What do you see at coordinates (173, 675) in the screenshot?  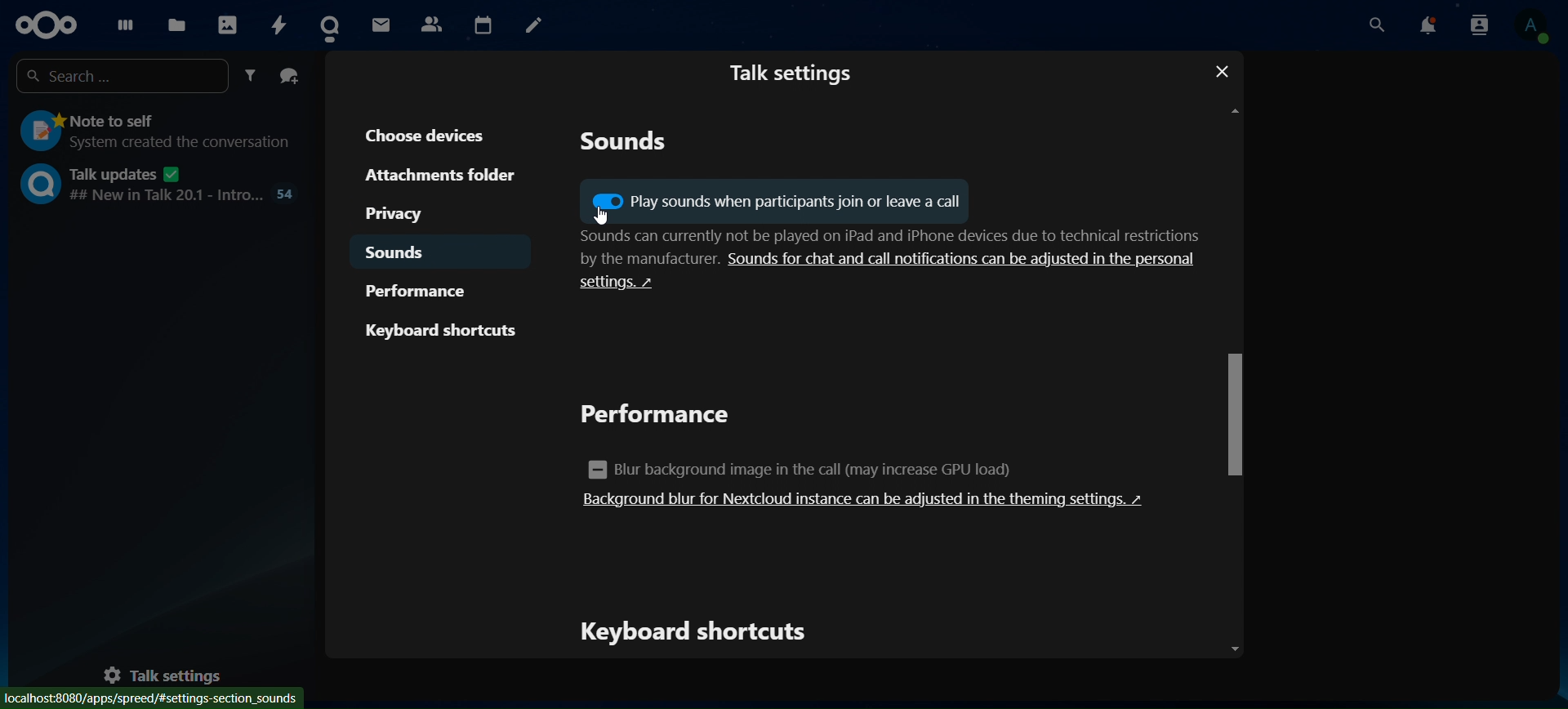 I see `talk settings` at bounding box center [173, 675].